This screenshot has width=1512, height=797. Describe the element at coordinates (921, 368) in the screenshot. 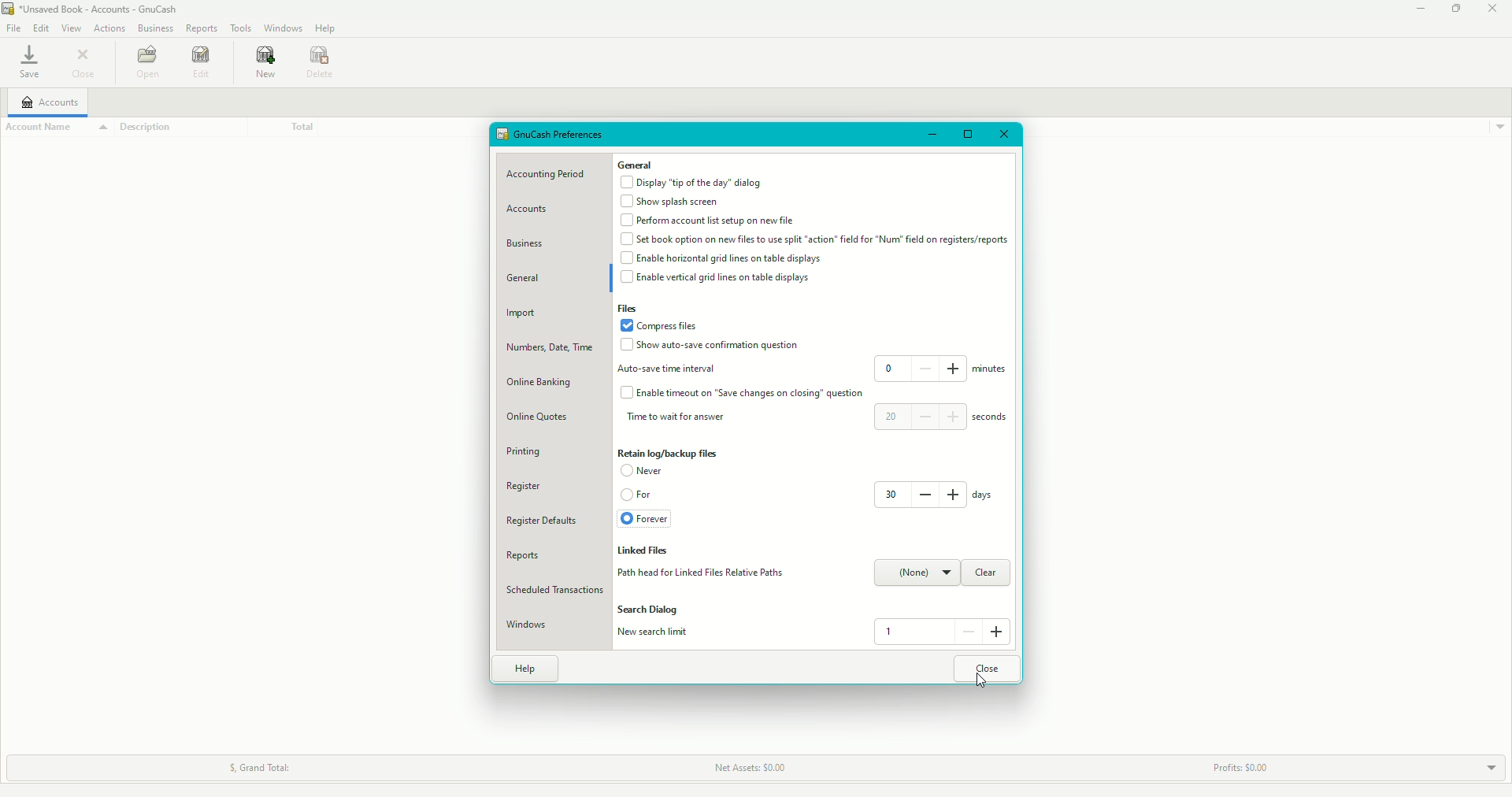

I see `0` at that location.